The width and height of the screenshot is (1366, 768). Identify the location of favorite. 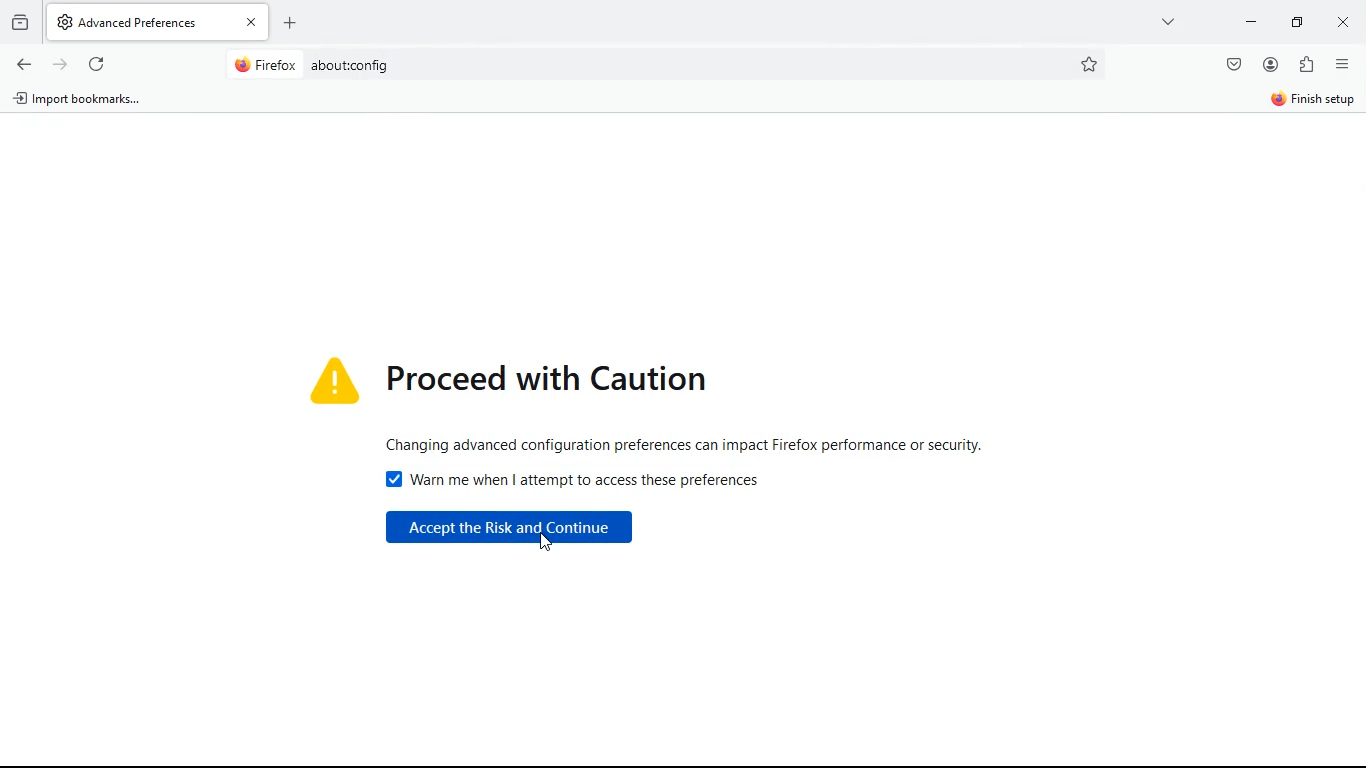
(1089, 64).